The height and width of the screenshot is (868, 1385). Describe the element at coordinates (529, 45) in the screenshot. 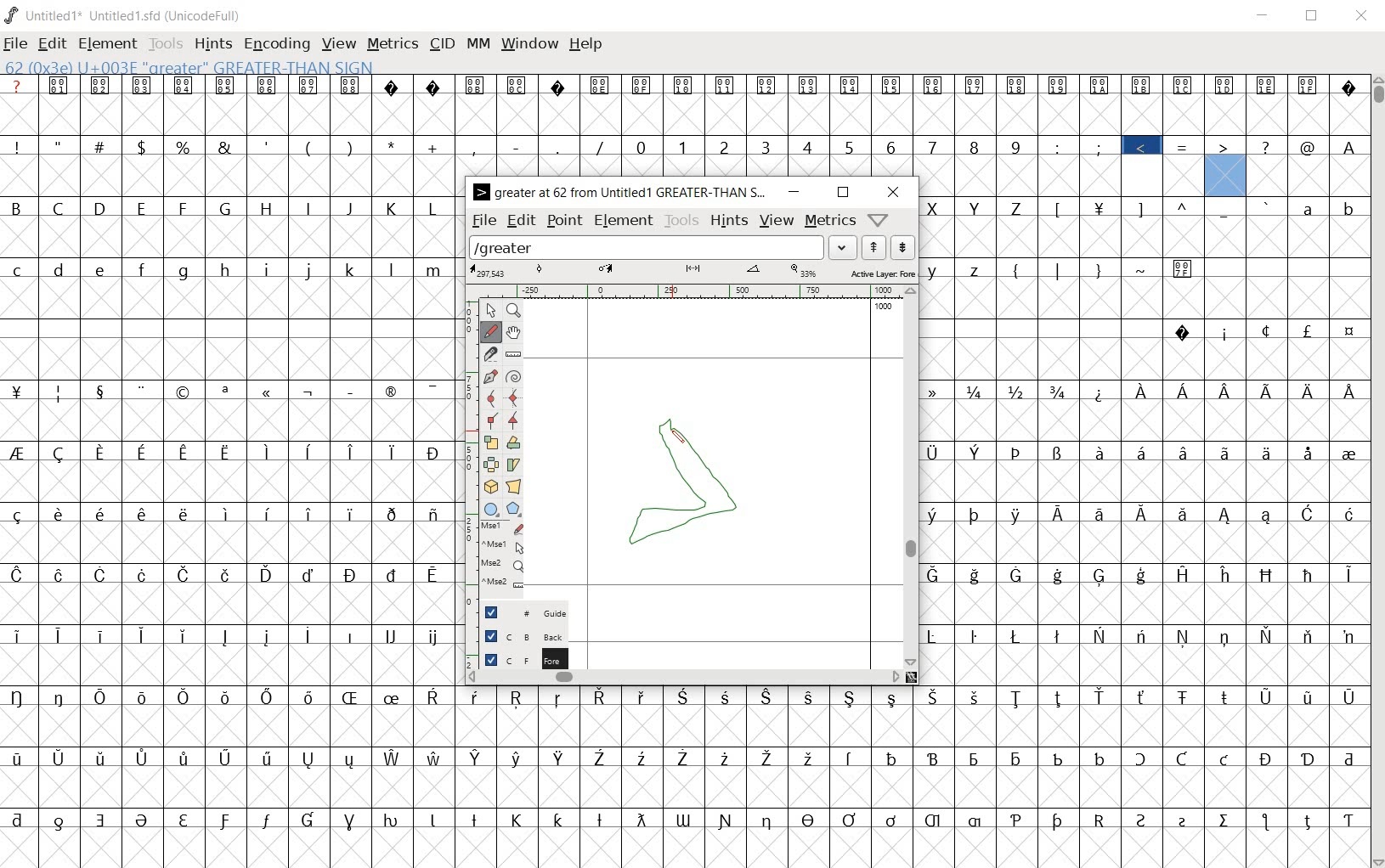

I see `window` at that location.